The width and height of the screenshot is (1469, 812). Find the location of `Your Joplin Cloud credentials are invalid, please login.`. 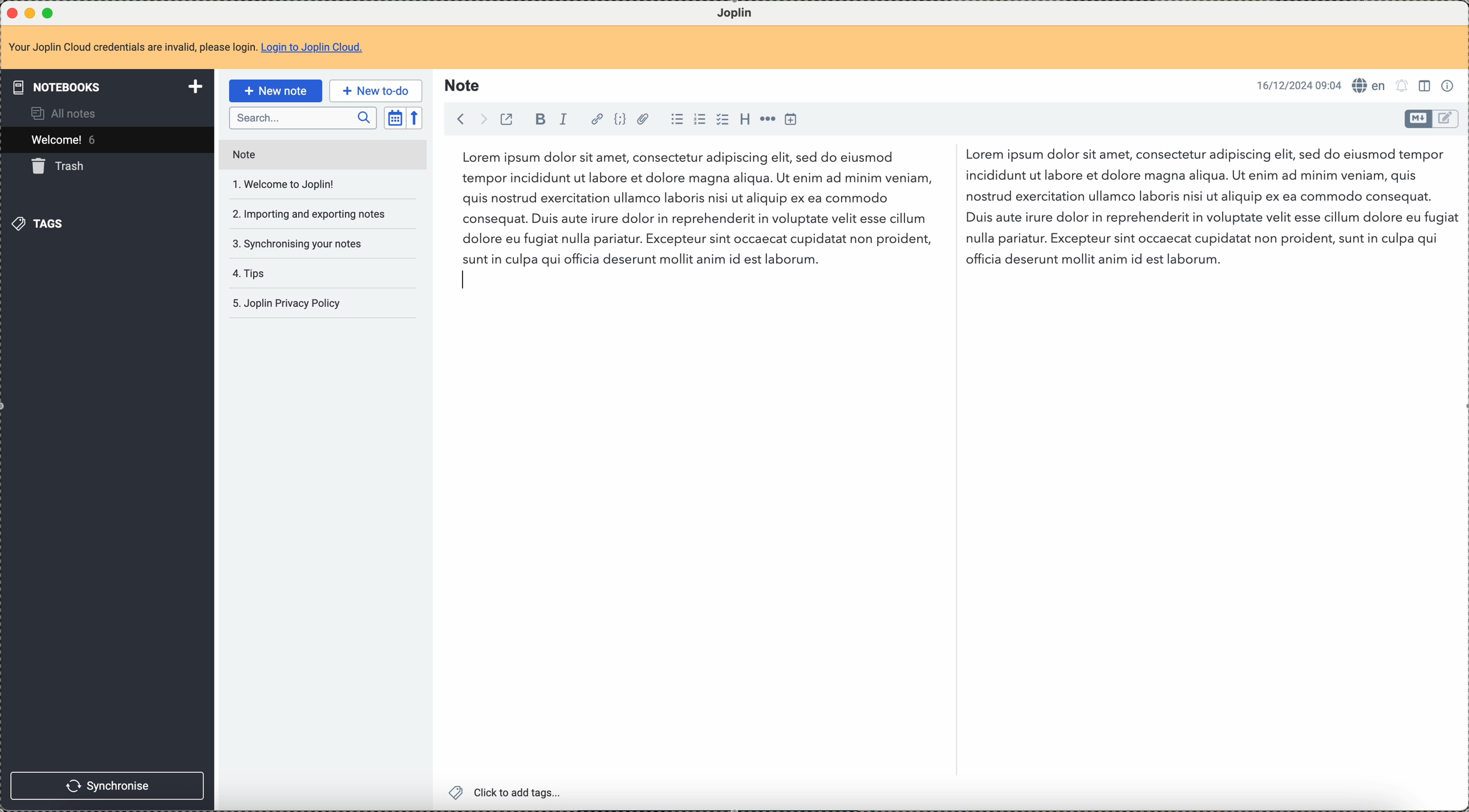

Your Joplin Cloud credentials are invalid, please login. is located at coordinates (132, 49).